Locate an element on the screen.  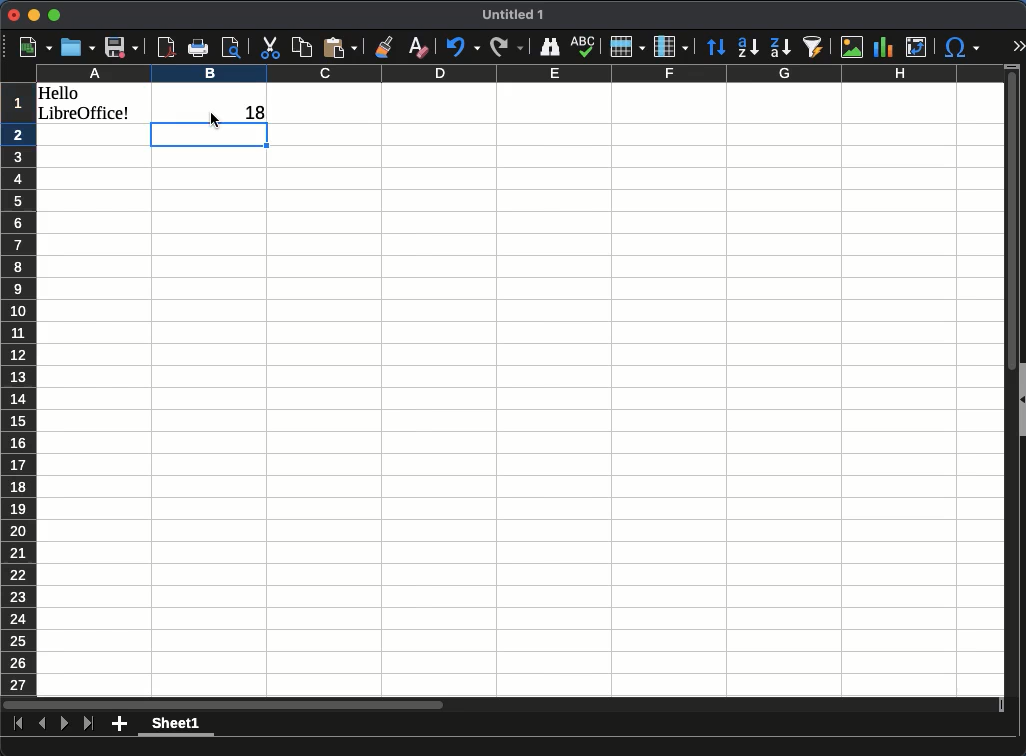
rows is located at coordinates (628, 45).